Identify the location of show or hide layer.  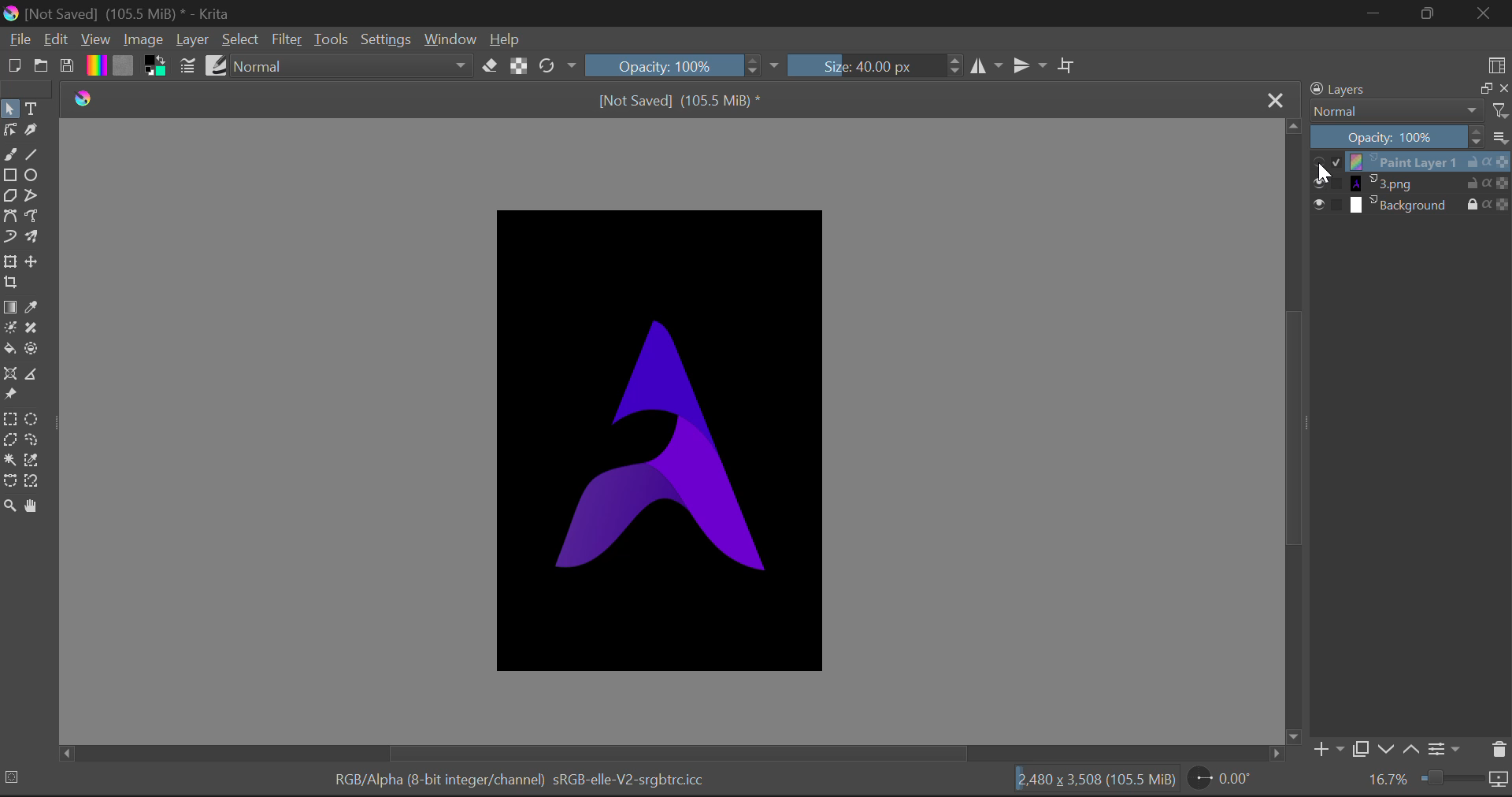
(1327, 163).